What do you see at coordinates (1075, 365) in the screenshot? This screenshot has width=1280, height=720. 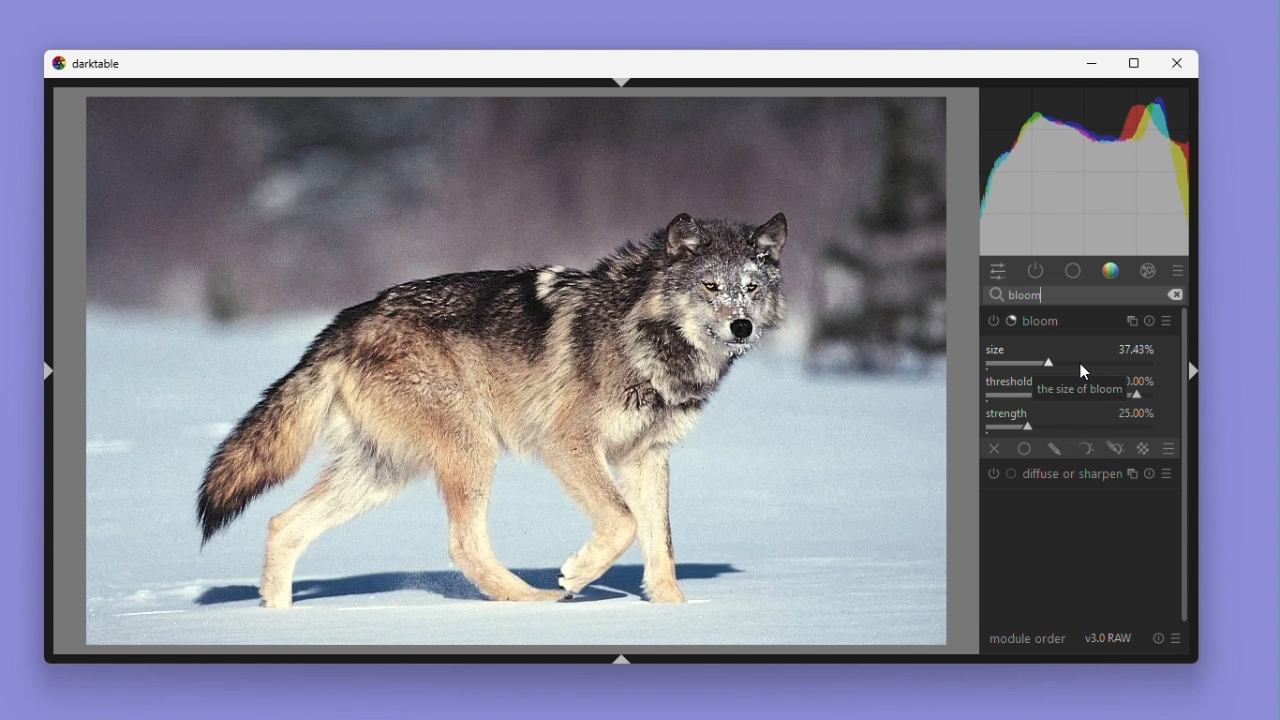 I see `adjustment slider` at bounding box center [1075, 365].